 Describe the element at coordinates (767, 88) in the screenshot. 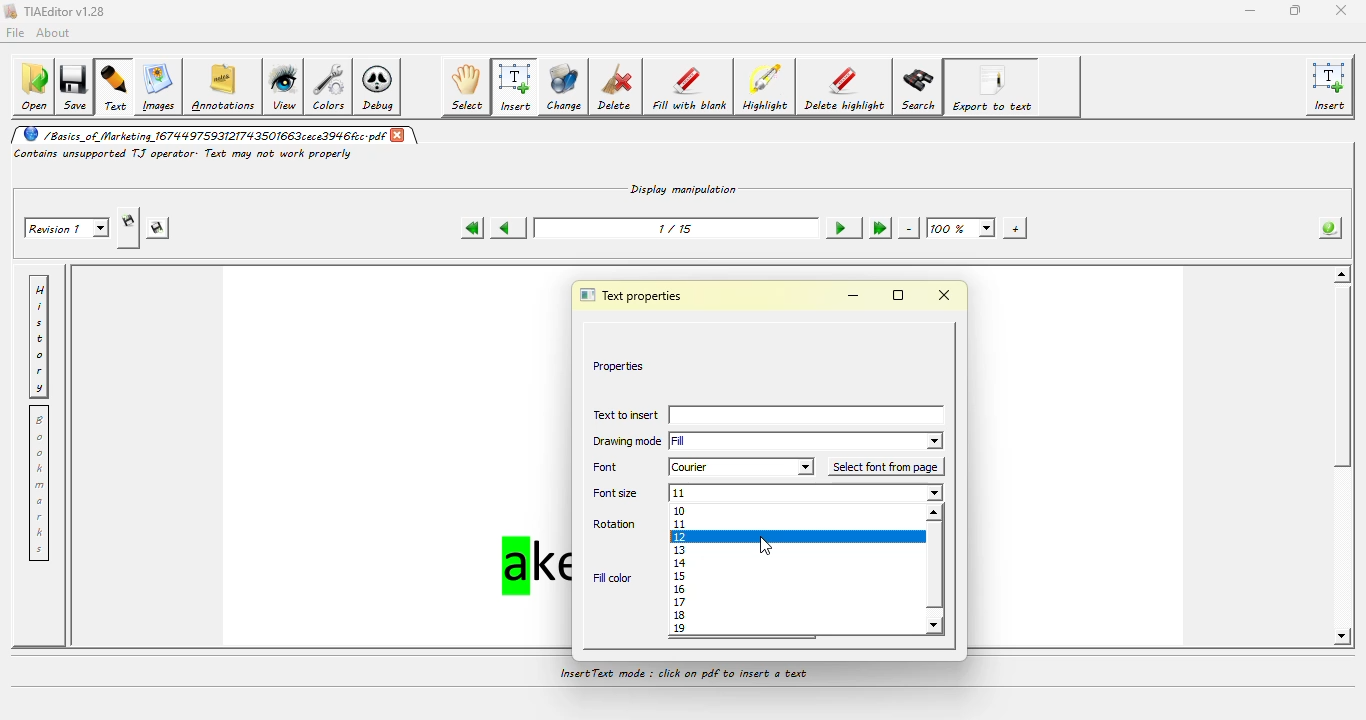

I see `highlight` at that location.